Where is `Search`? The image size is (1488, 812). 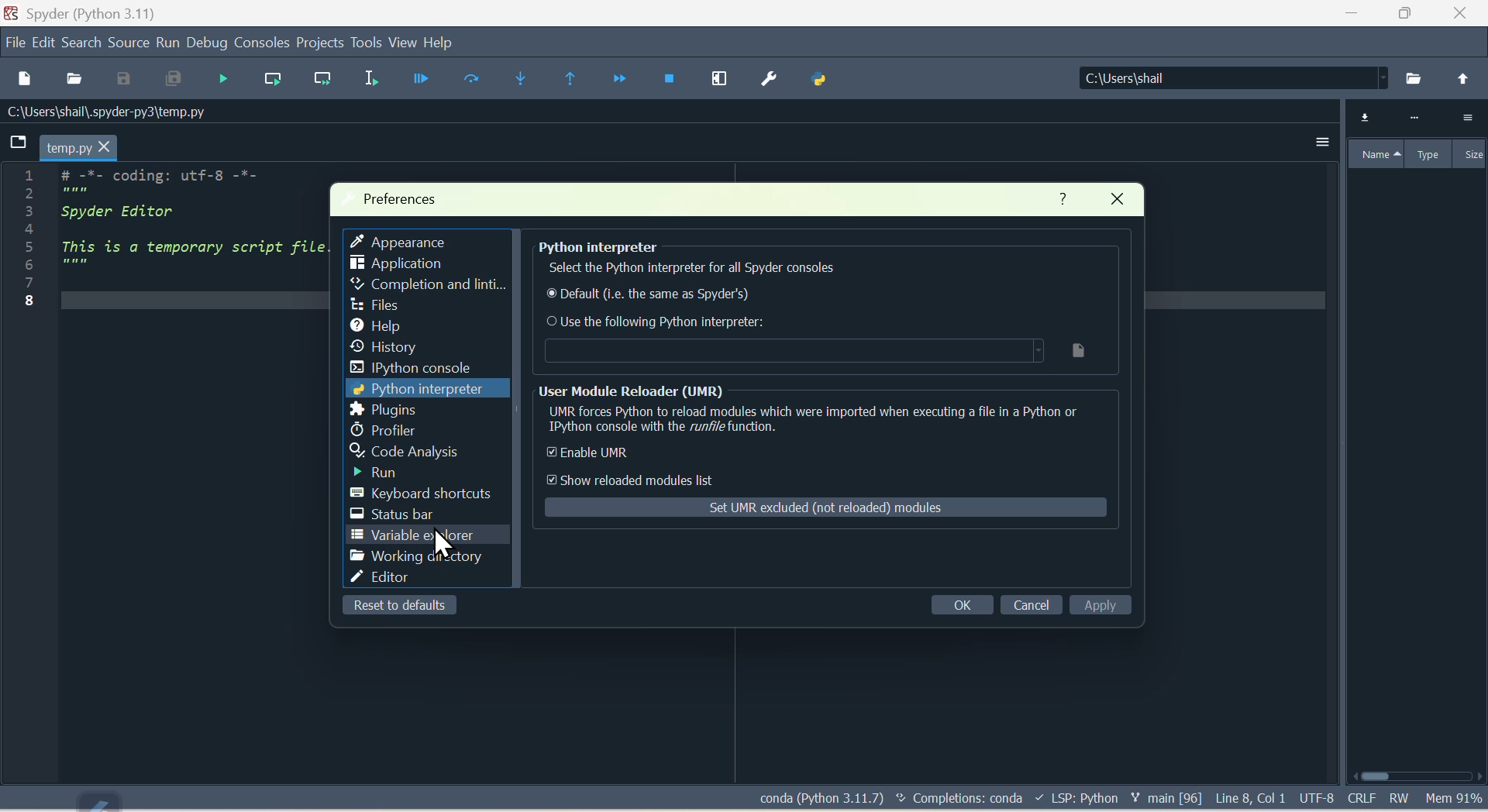
Search is located at coordinates (83, 41).